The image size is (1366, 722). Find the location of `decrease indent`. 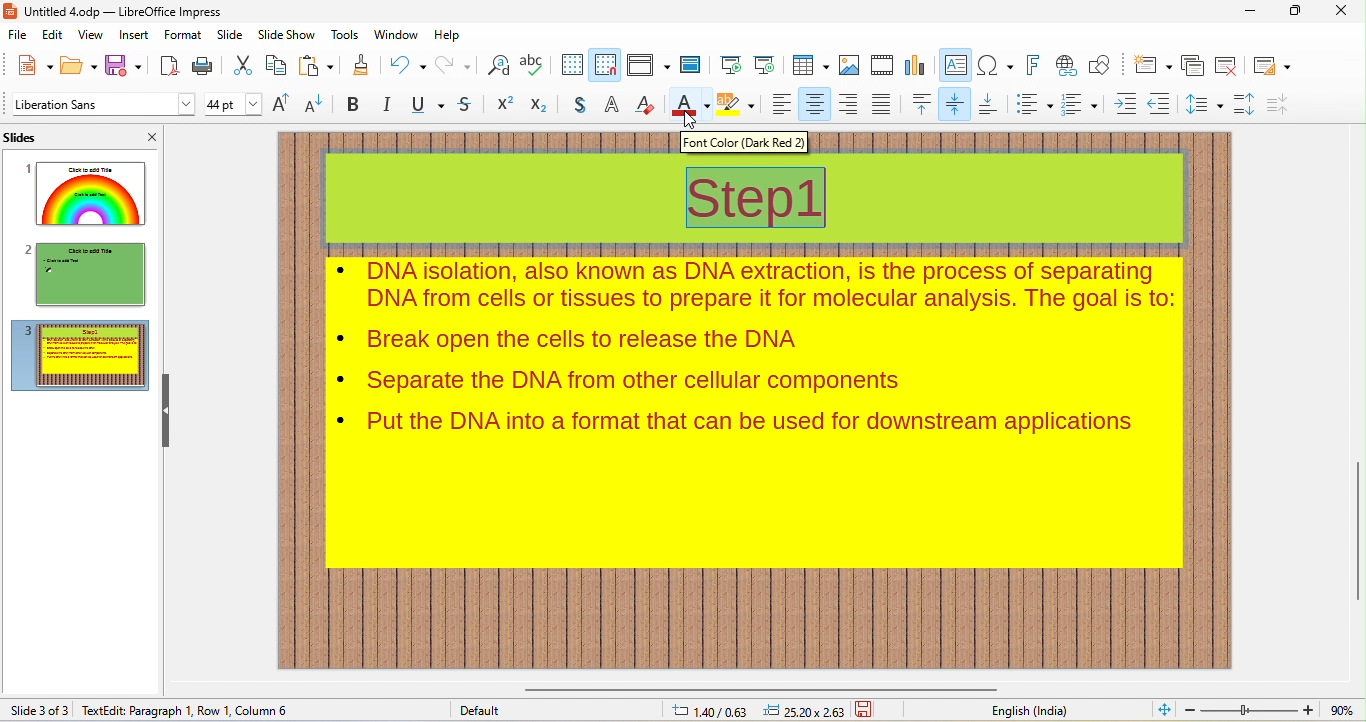

decrease indent is located at coordinates (1162, 103).